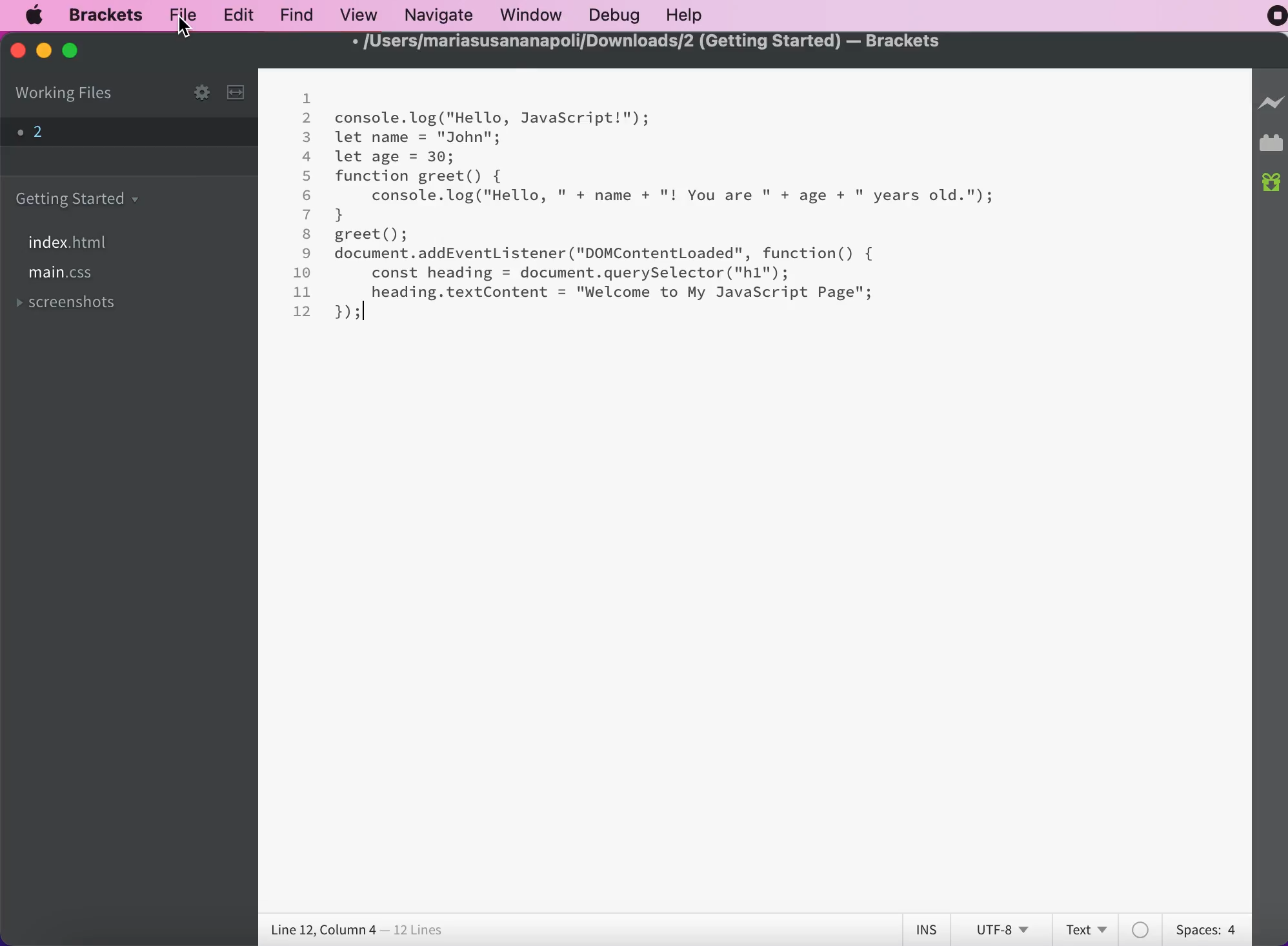 The width and height of the screenshot is (1288, 946). What do you see at coordinates (307, 234) in the screenshot?
I see `8` at bounding box center [307, 234].